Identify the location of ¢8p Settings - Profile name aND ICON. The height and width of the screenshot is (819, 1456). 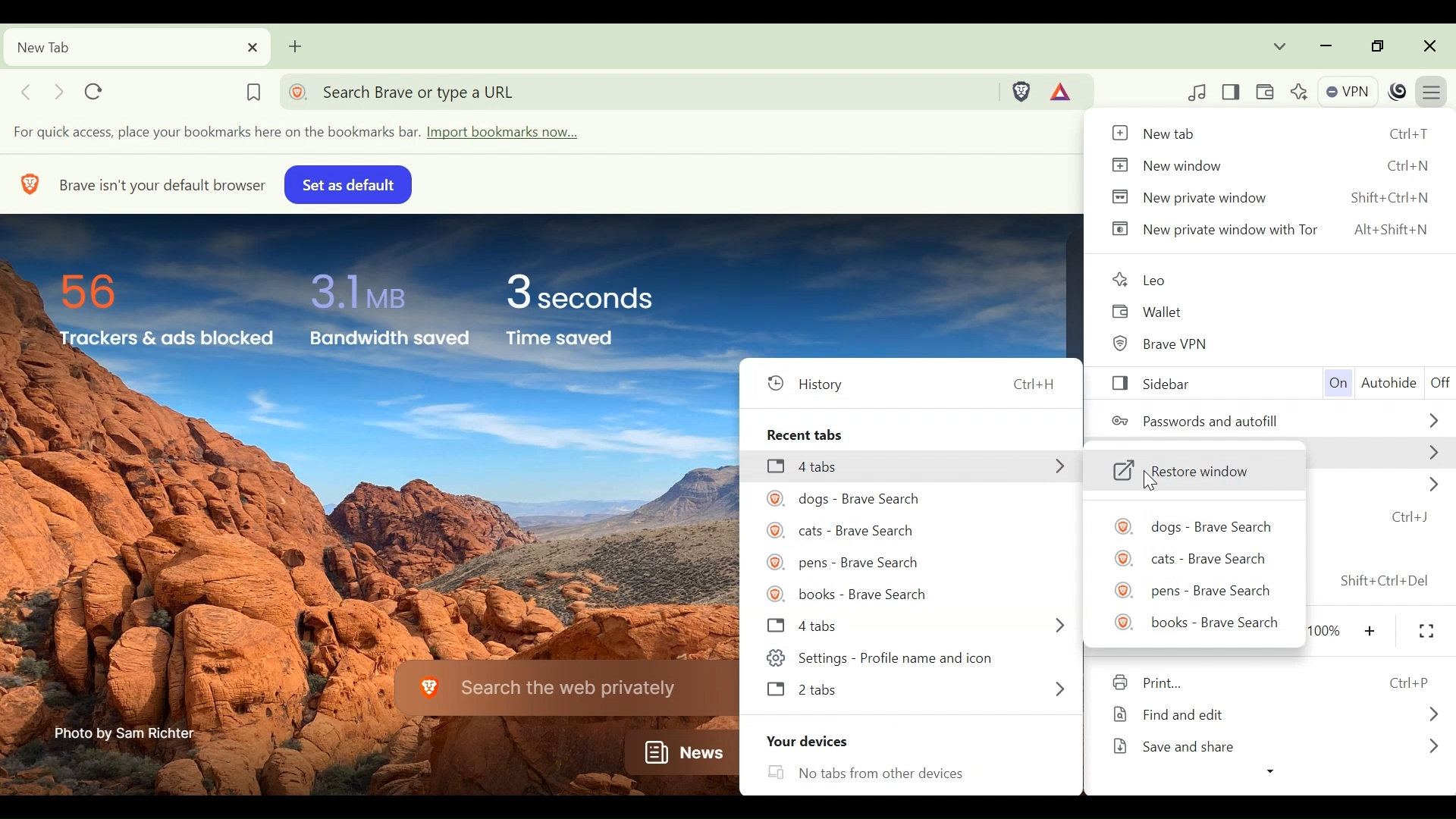
(900, 658).